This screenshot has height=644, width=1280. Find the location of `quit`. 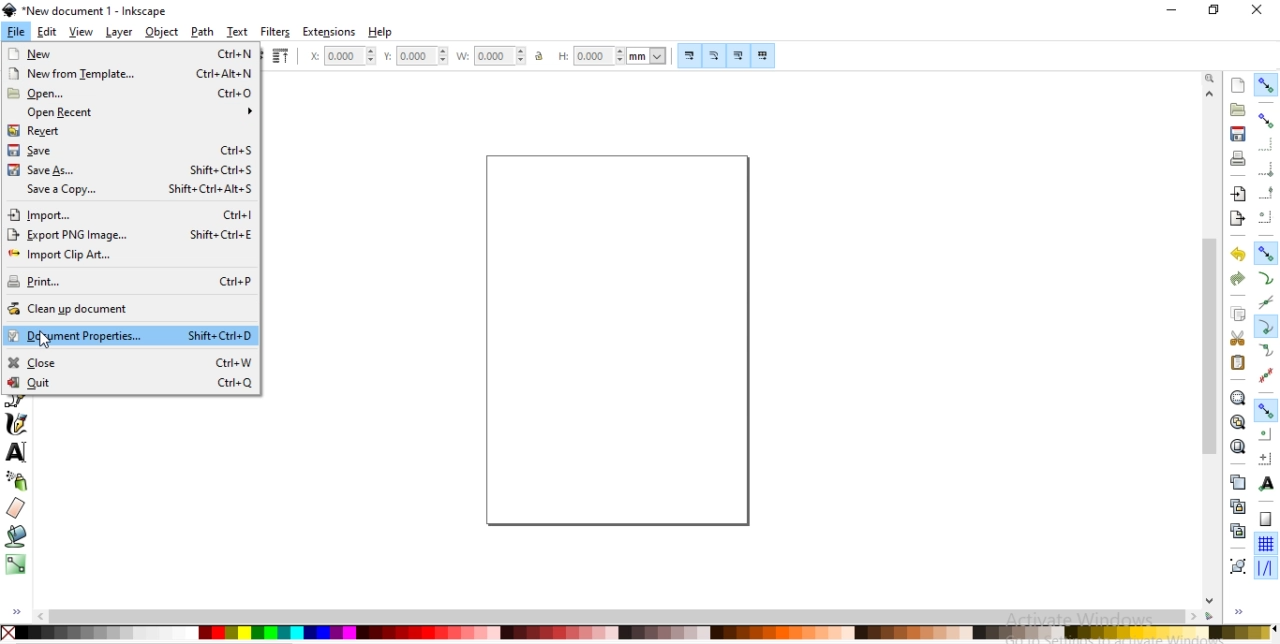

quit is located at coordinates (129, 383).